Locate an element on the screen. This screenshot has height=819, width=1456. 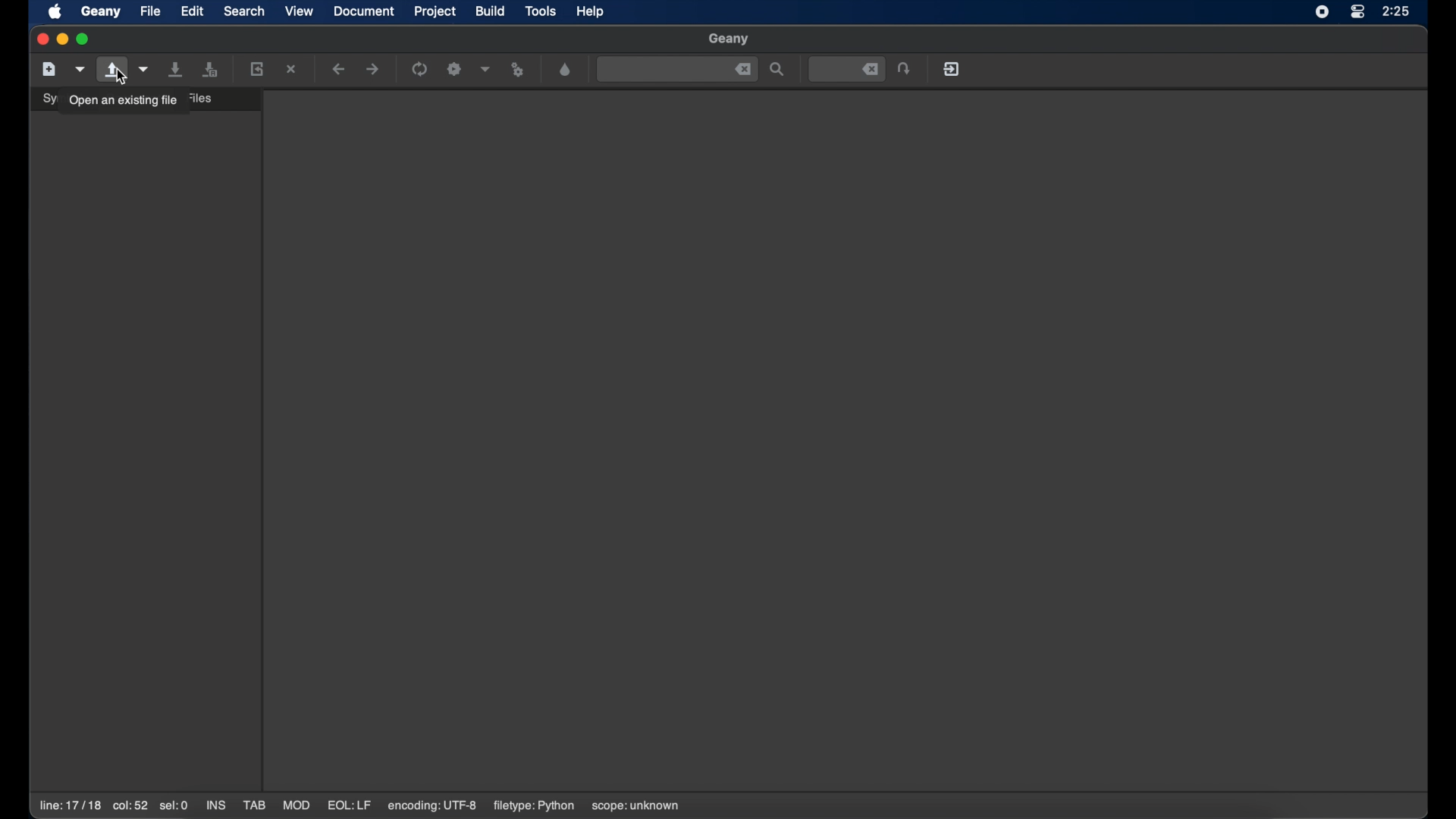
time is located at coordinates (1398, 11).